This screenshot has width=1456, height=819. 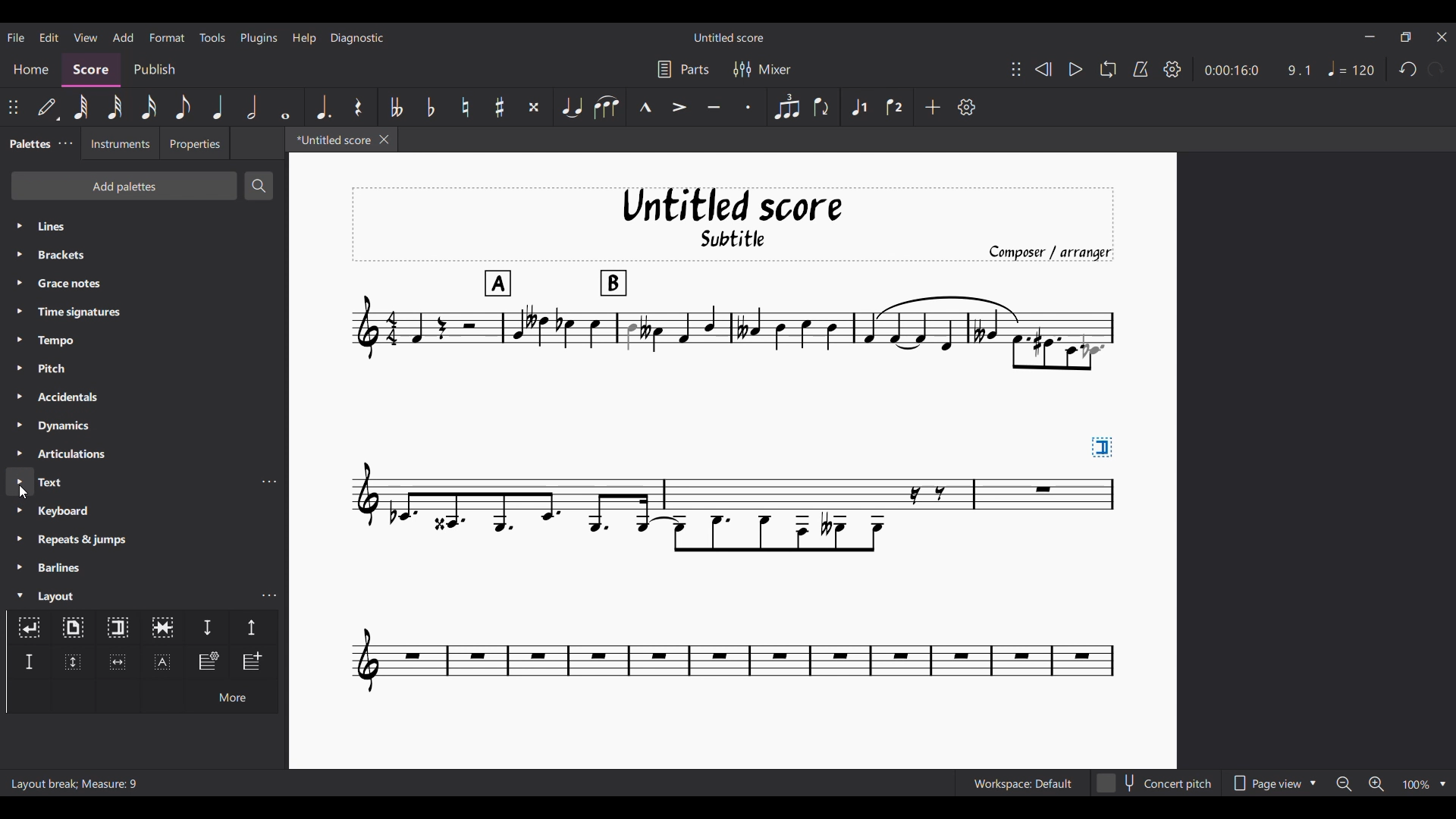 What do you see at coordinates (259, 38) in the screenshot?
I see `Plugins menu` at bounding box center [259, 38].